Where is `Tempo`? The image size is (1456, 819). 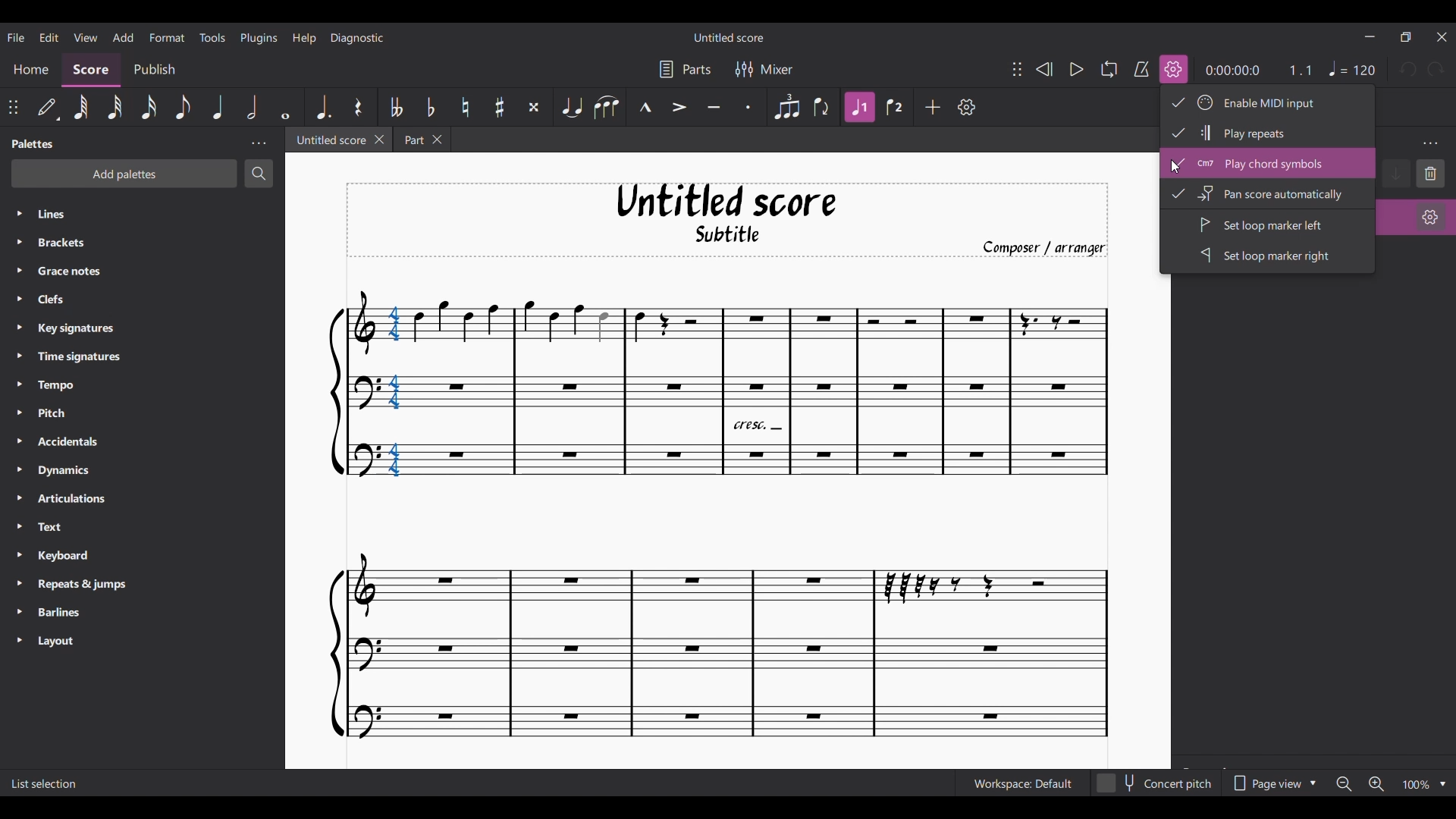 Tempo is located at coordinates (1351, 68).